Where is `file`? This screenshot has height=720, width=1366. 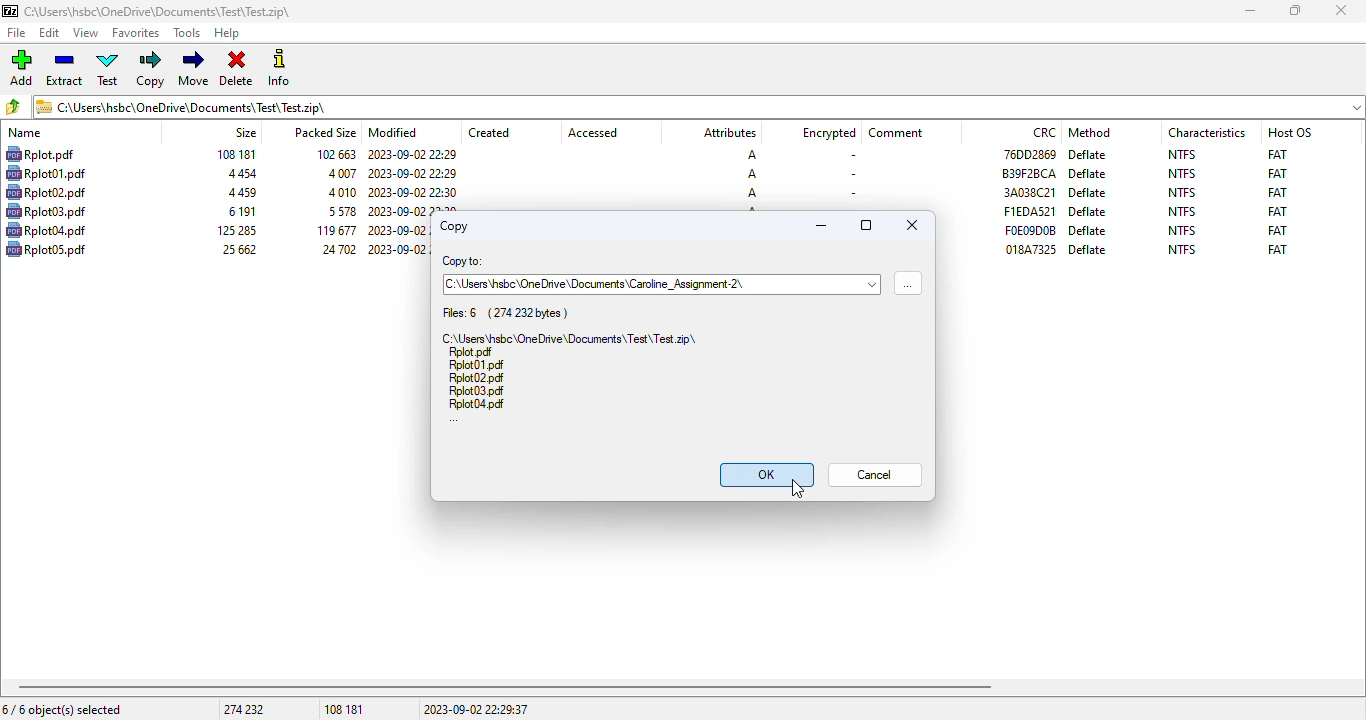
file is located at coordinates (46, 192).